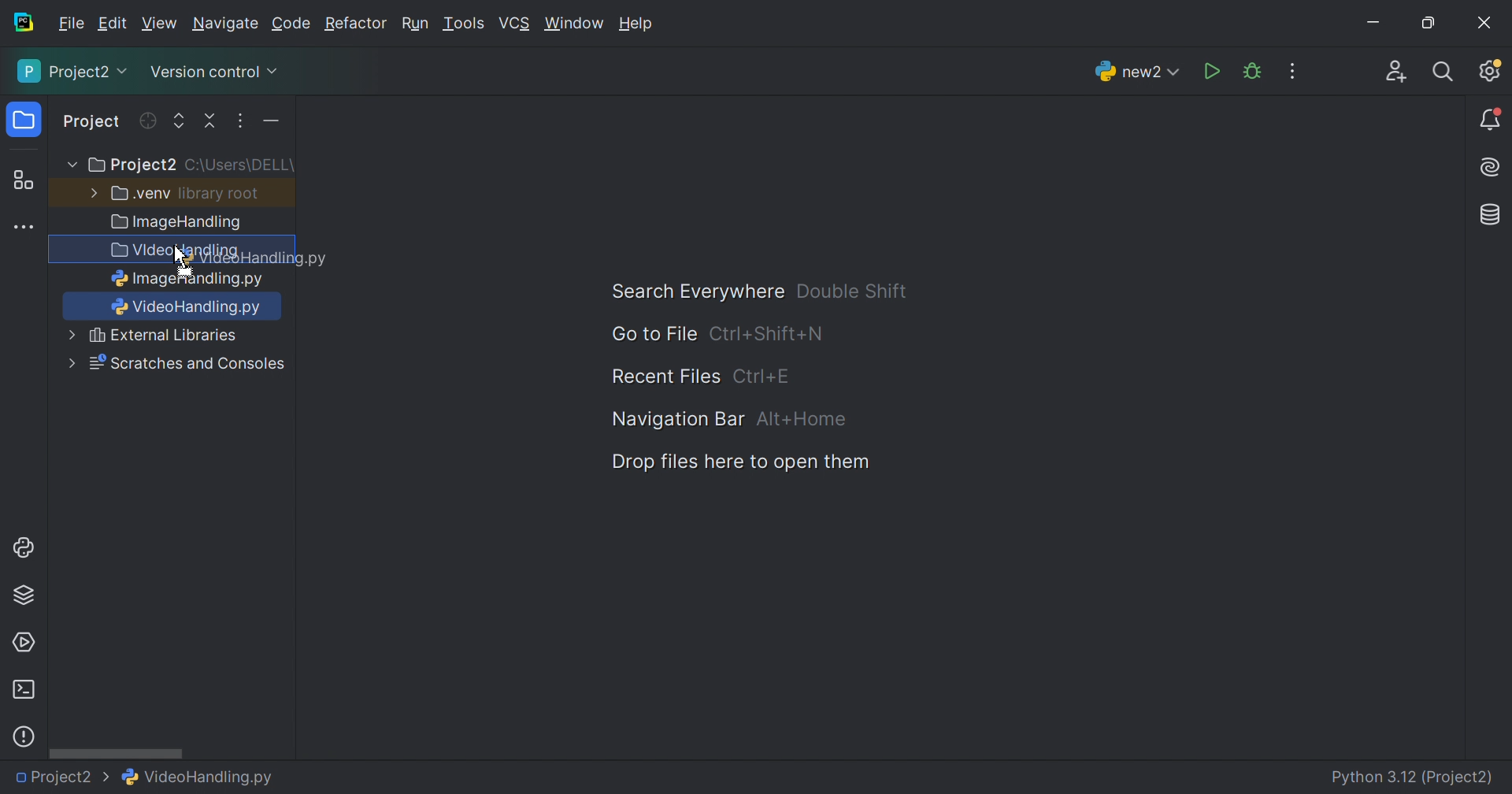 This screenshot has height=794, width=1512. Describe the element at coordinates (161, 24) in the screenshot. I see `View` at that location.